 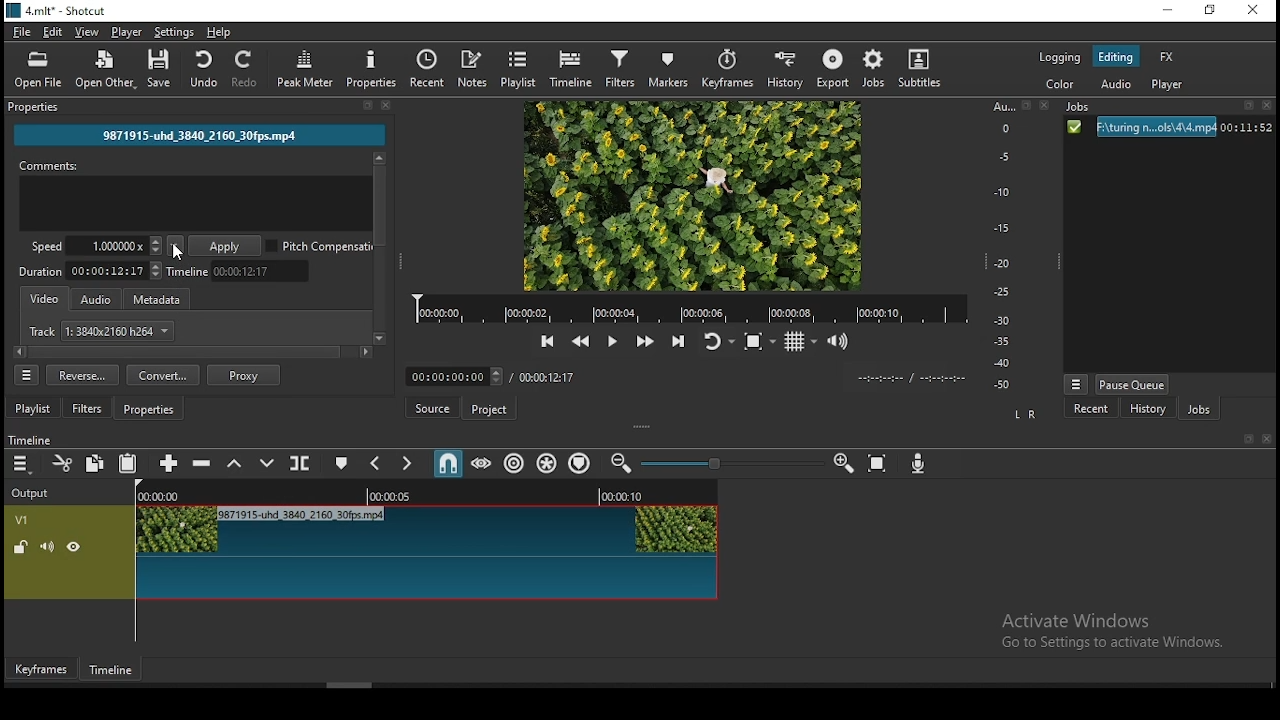 What do you see at coordinates (23, 33) in the screenshot?
I see `file` at bounding box center [23, 33].